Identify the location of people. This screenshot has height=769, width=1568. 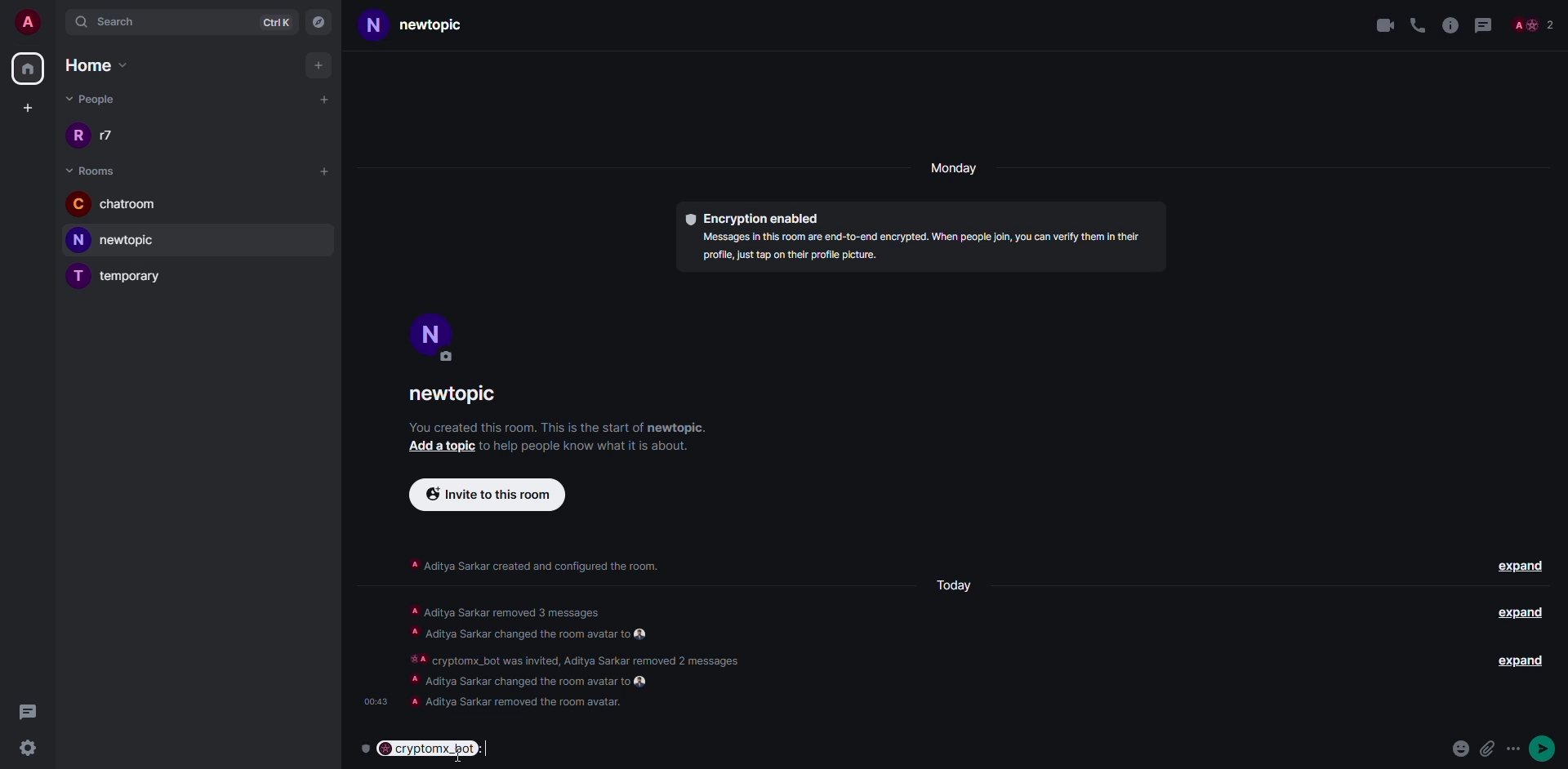
(94, 99).